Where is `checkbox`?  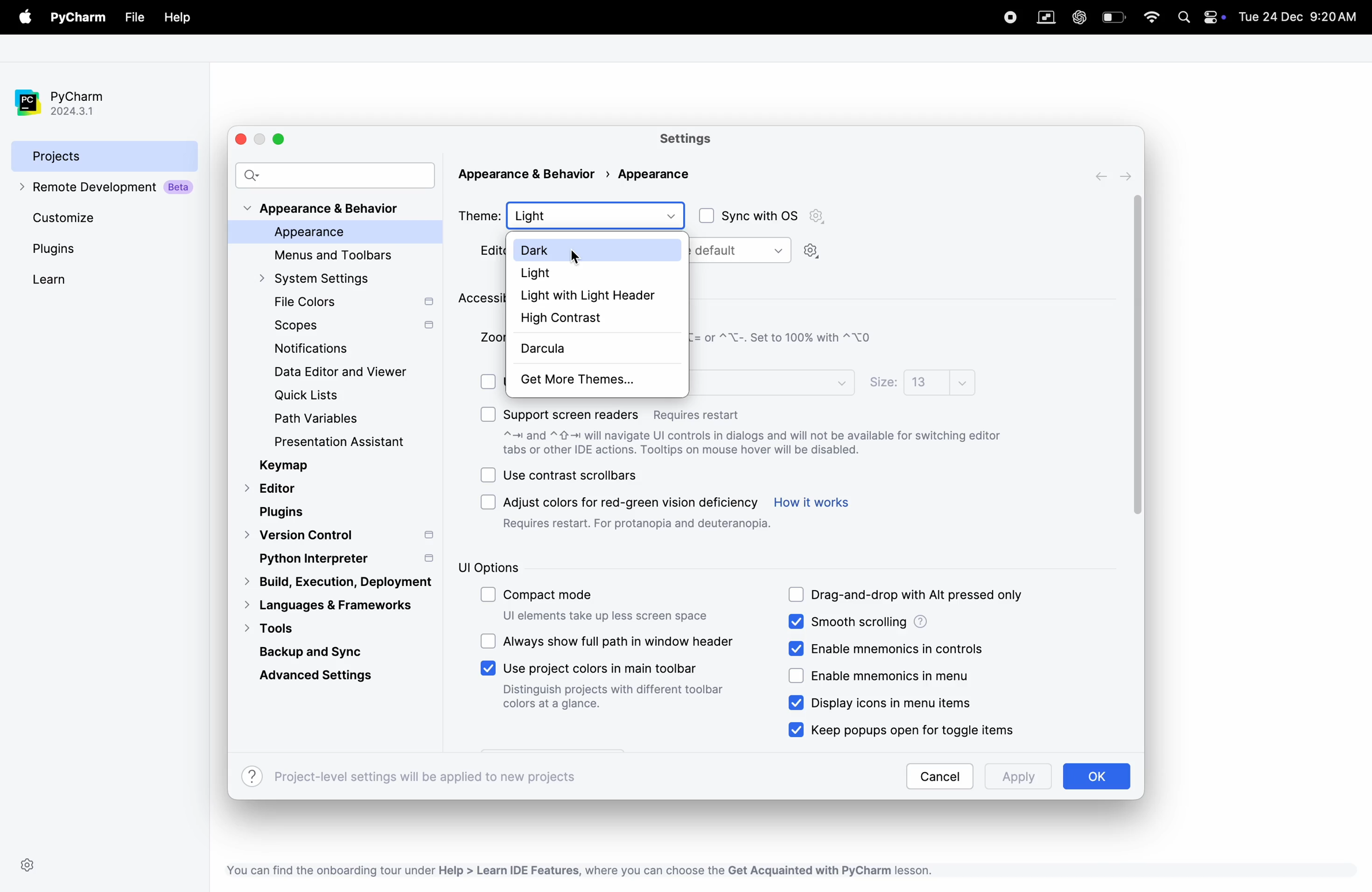 checkbox is located at coordinates (488, 414).